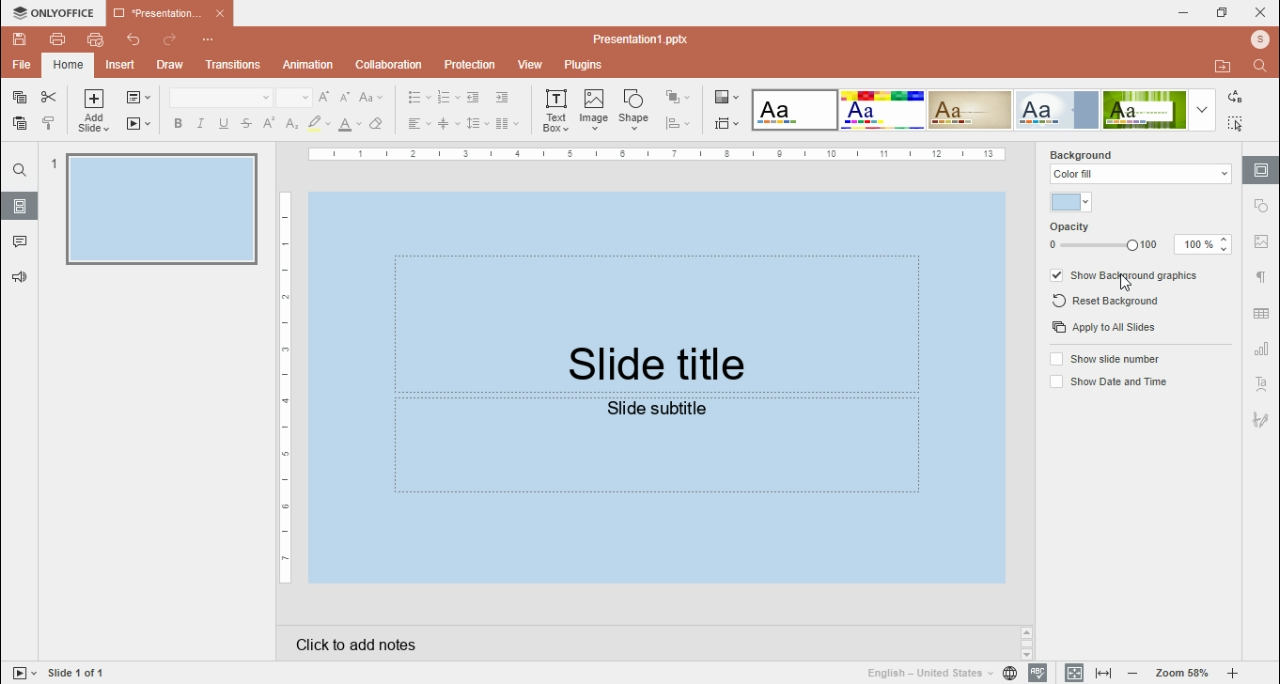  What do you see at coordinates (224, 124) in the screenshot?
I see `underline` at bounding box center [224, 124].